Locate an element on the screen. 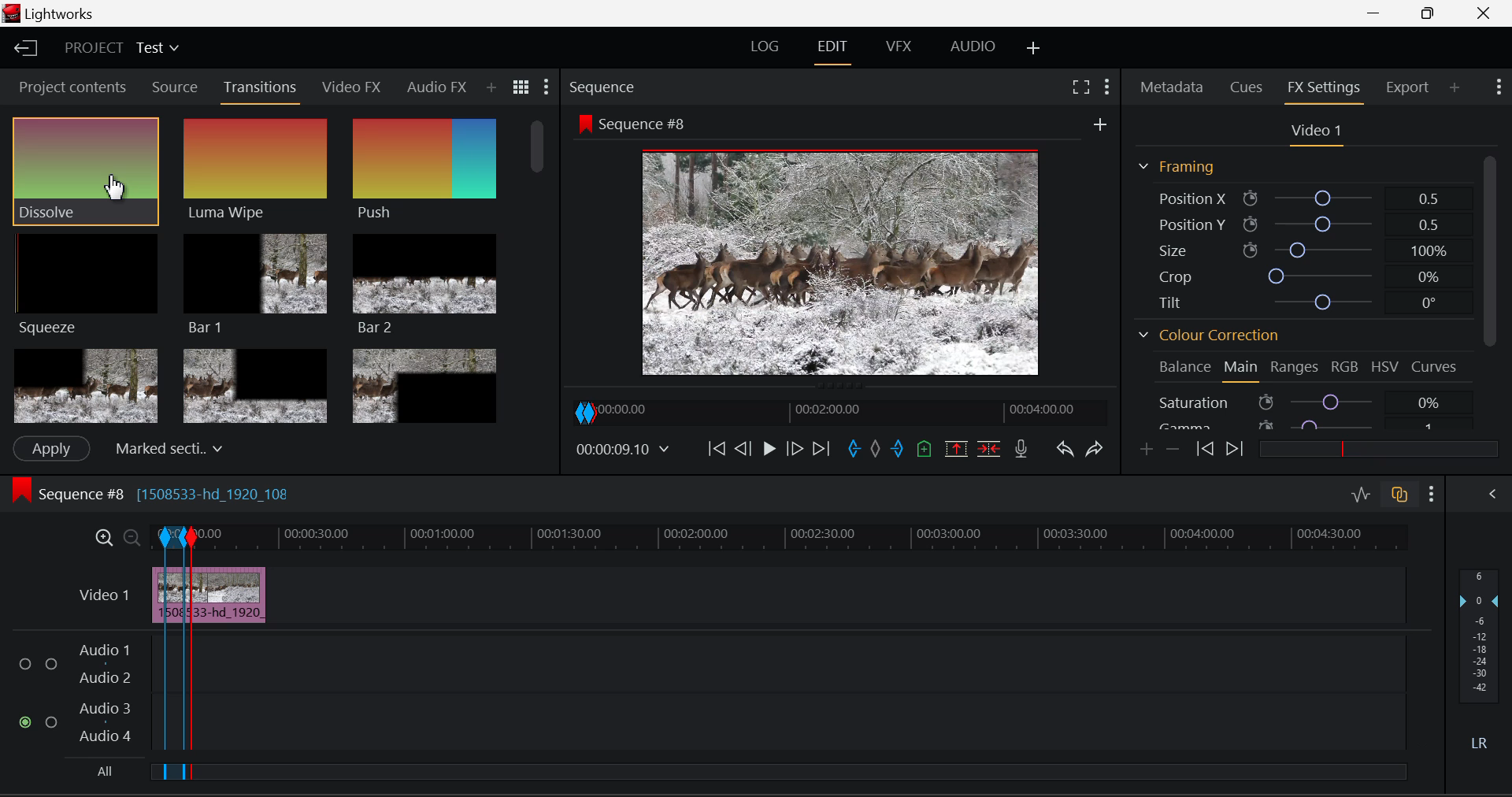 The width and height of the screenshot is (1512, 797). Audio 4 is located at coordinates (106, 736).